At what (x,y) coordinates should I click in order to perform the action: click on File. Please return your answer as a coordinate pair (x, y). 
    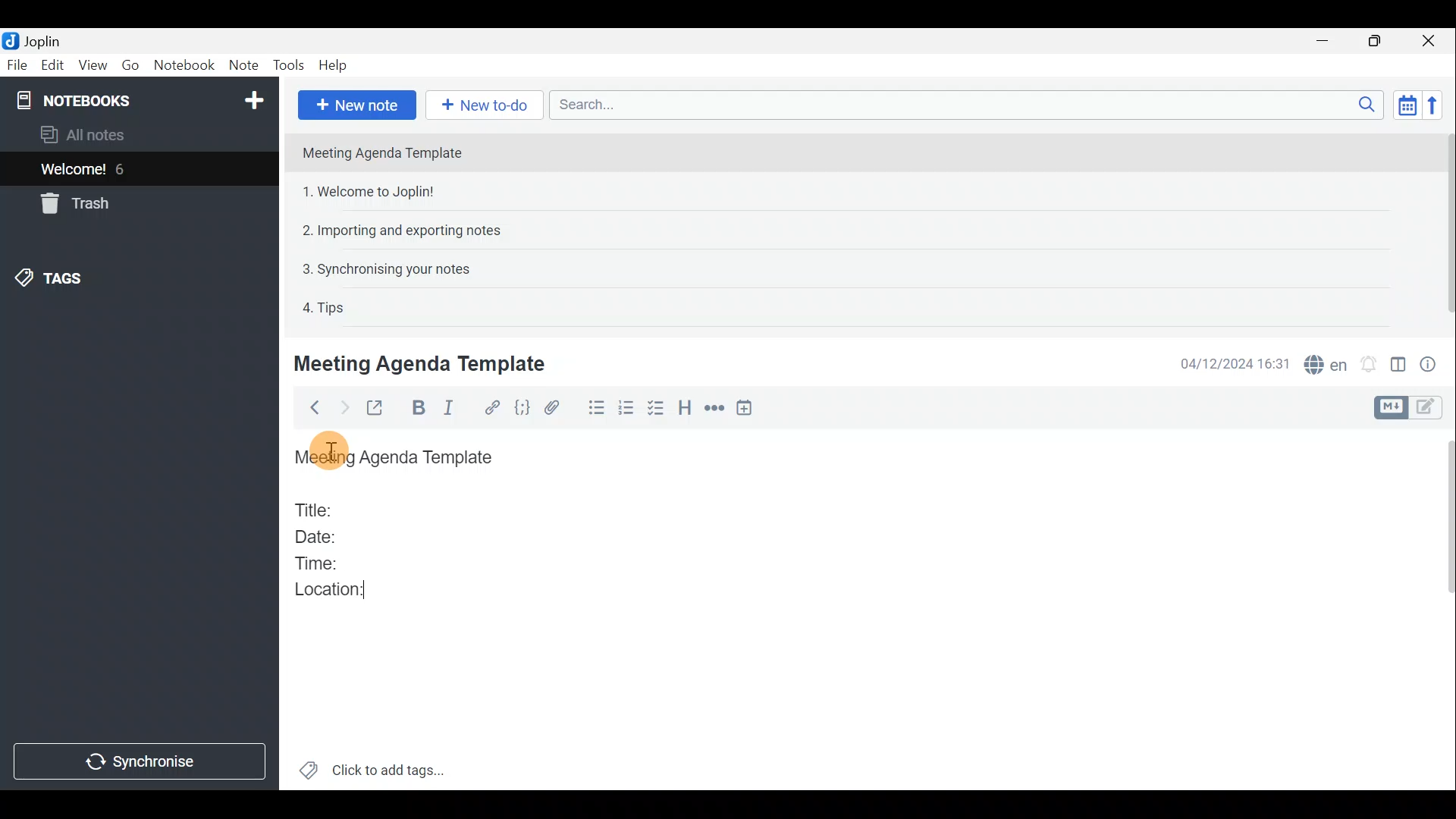
    Looking at the image, I should click on (17, 64).